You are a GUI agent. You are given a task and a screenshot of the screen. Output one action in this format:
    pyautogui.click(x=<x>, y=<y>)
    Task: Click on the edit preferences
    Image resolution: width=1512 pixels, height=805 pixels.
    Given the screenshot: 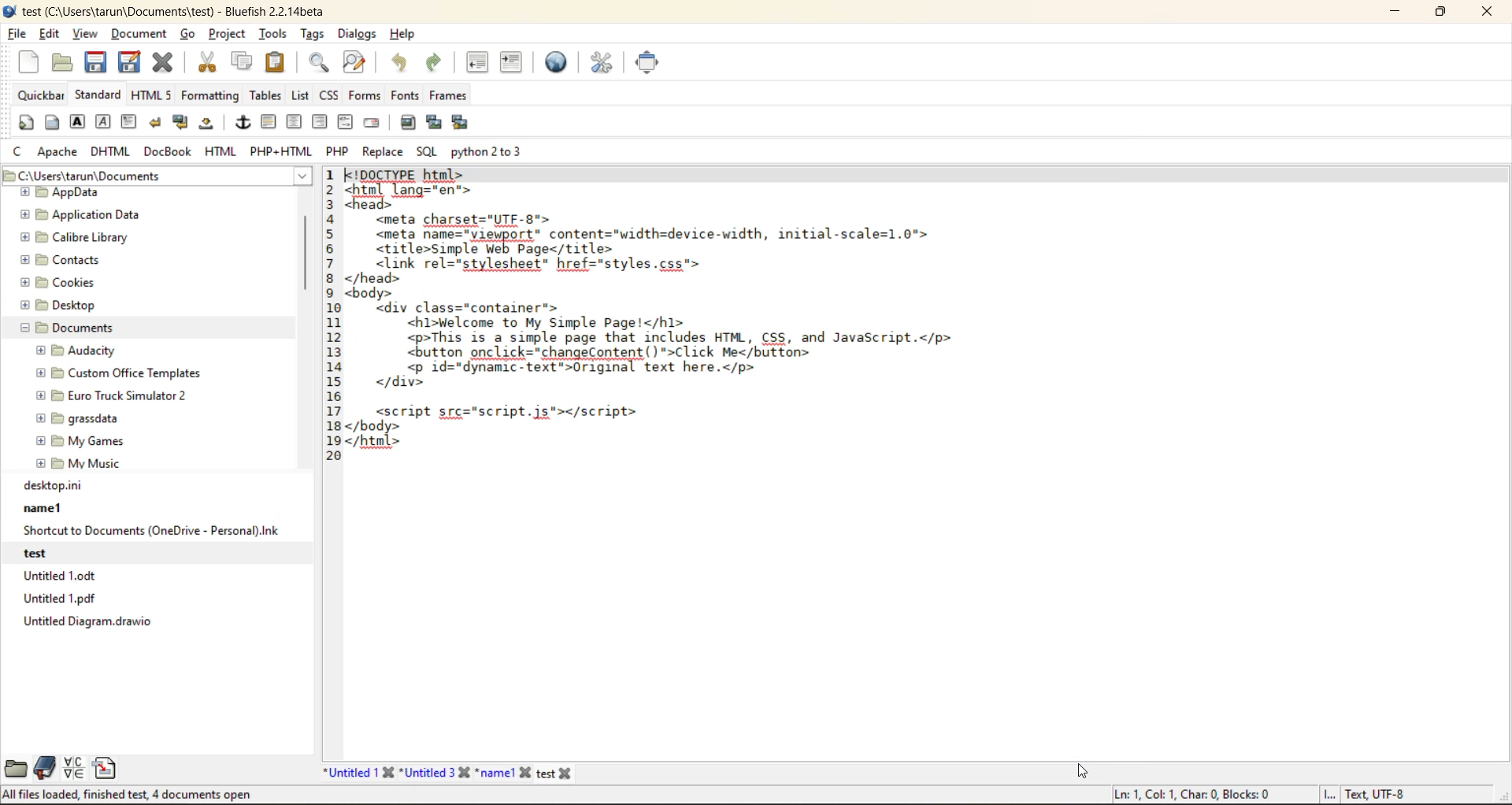 What is the action you would take?
    pyautogui.click(x=600, y=62)
    